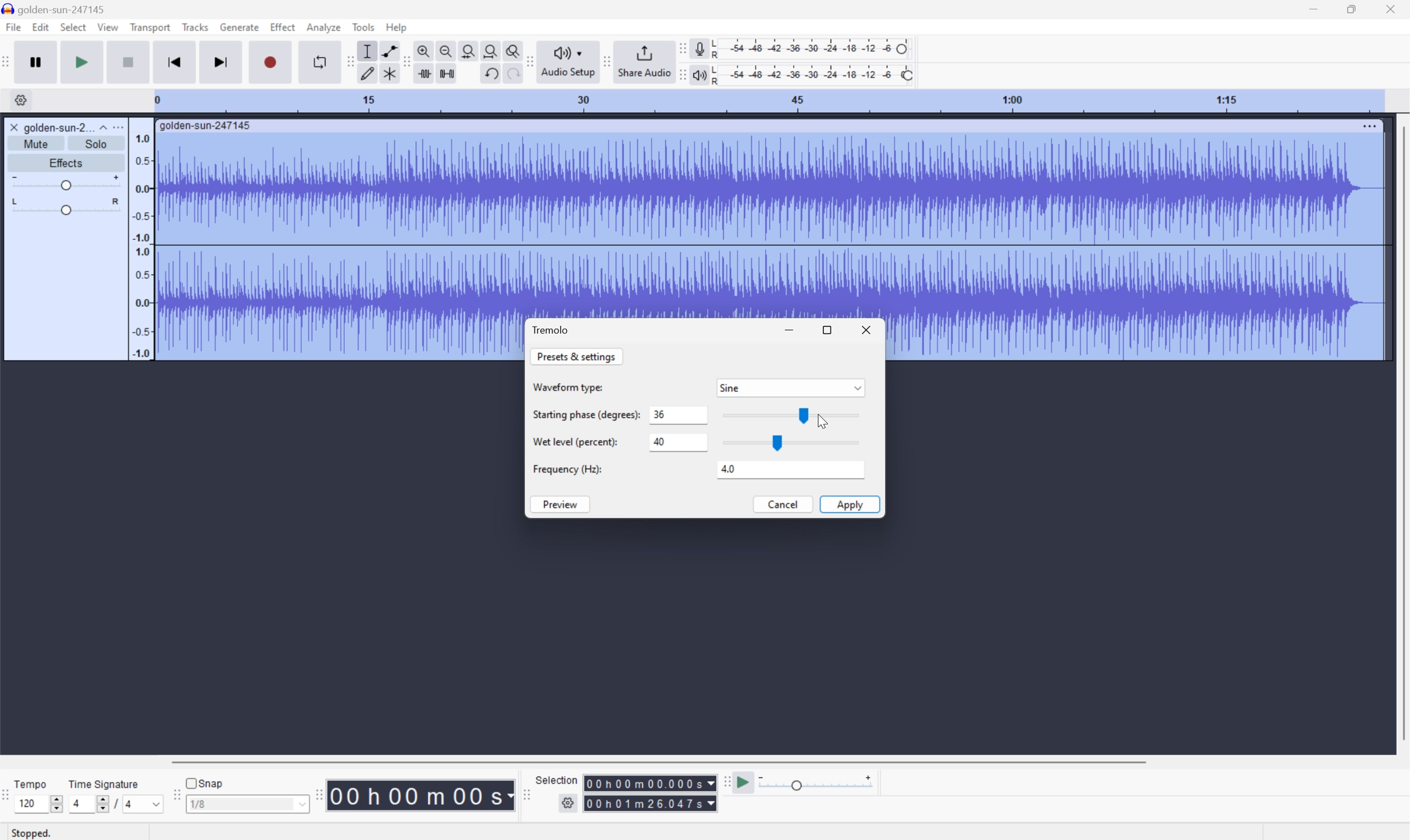 The width and height of the screenshot is (1410, 840). Describe the element at coordinates (791, 330) in the screenshot. I see `Minimize` at that location.